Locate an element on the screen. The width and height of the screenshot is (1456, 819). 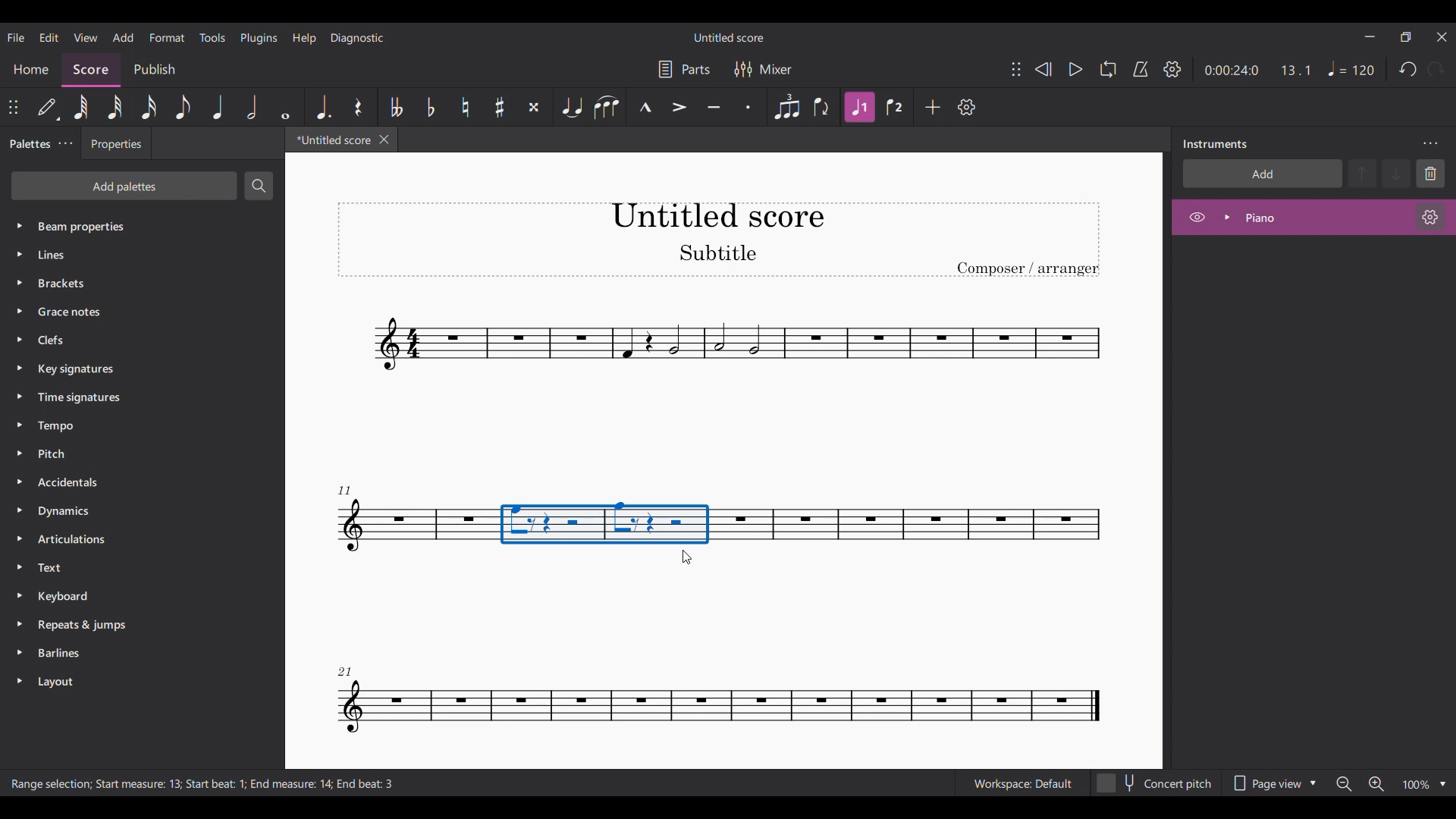
Tie is located at coordinates (573, 107).